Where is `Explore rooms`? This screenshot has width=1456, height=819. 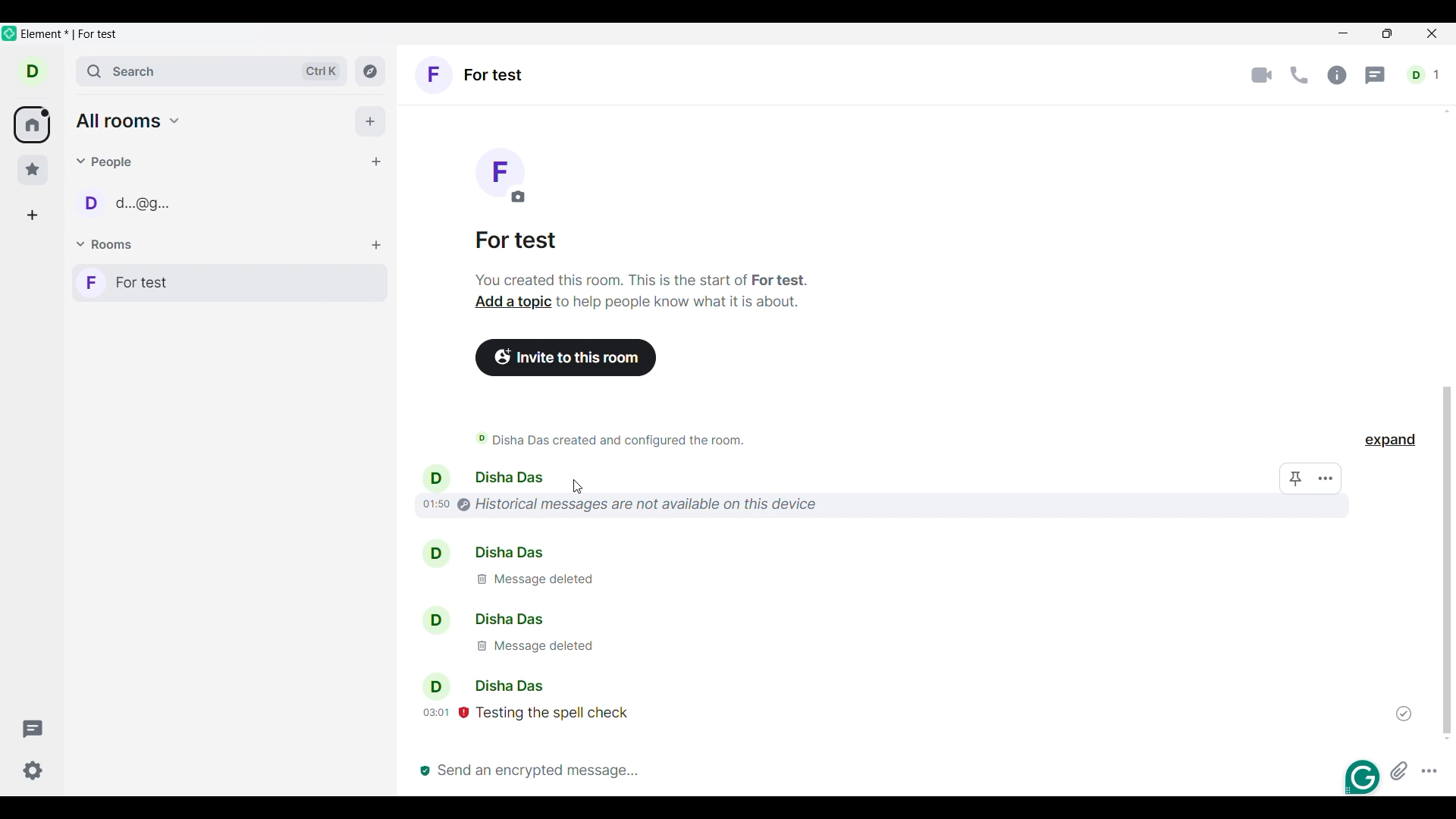
Explore rooms is located at coordinates (370, 71).